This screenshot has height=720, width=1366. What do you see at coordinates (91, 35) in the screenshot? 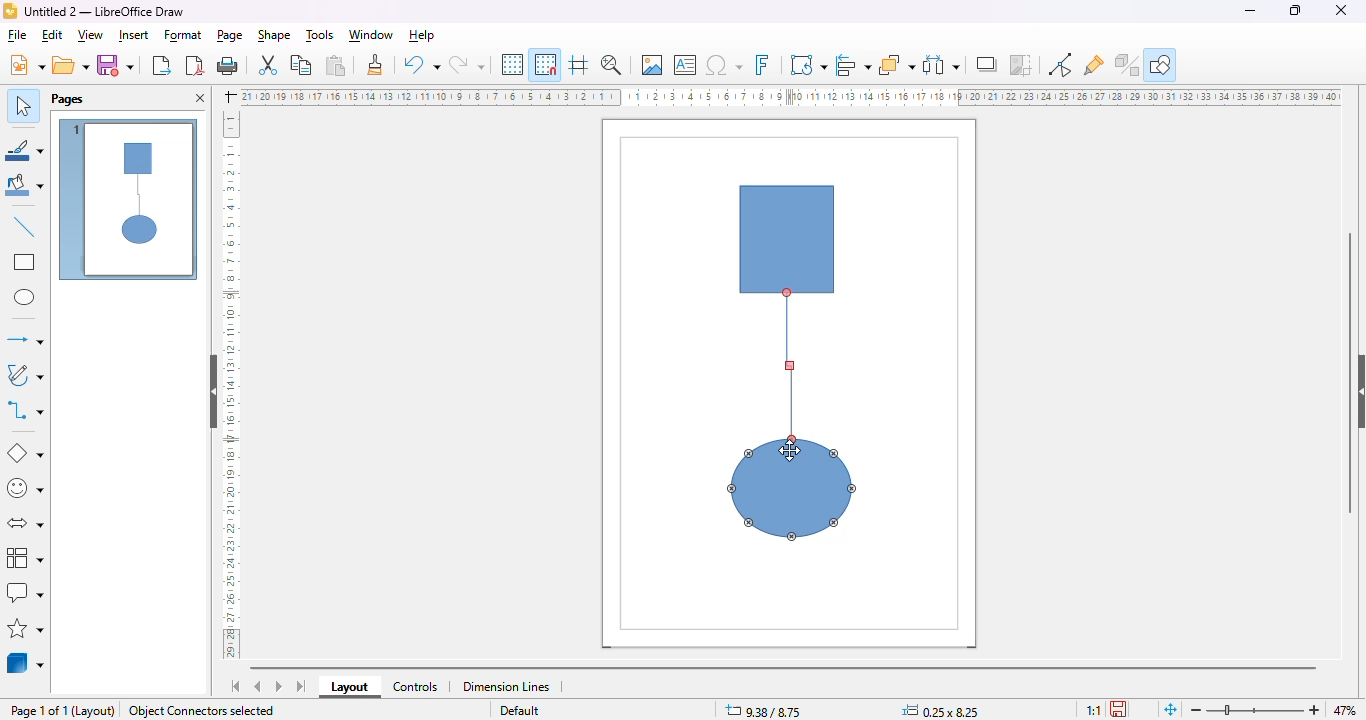
I see `view` at bounding box center [91, 35].